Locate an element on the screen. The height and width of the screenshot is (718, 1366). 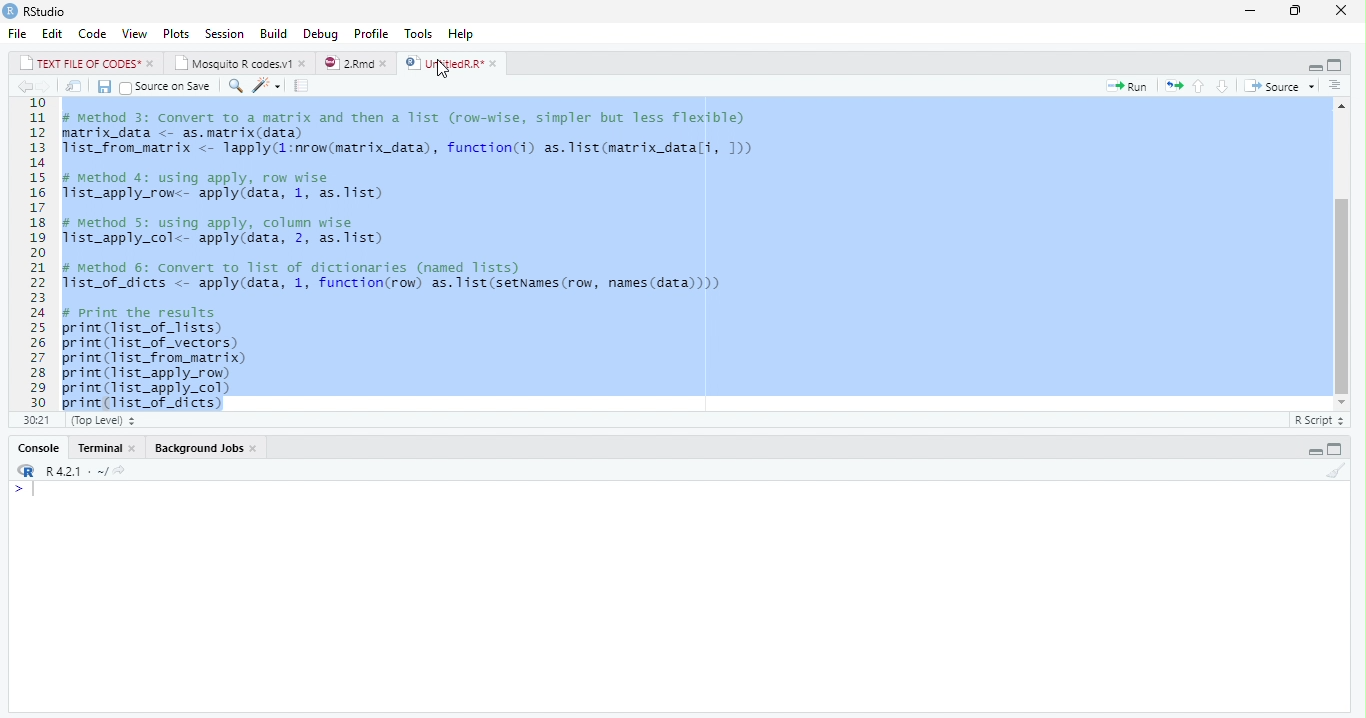
Edit is located at coordinates (54, 33).